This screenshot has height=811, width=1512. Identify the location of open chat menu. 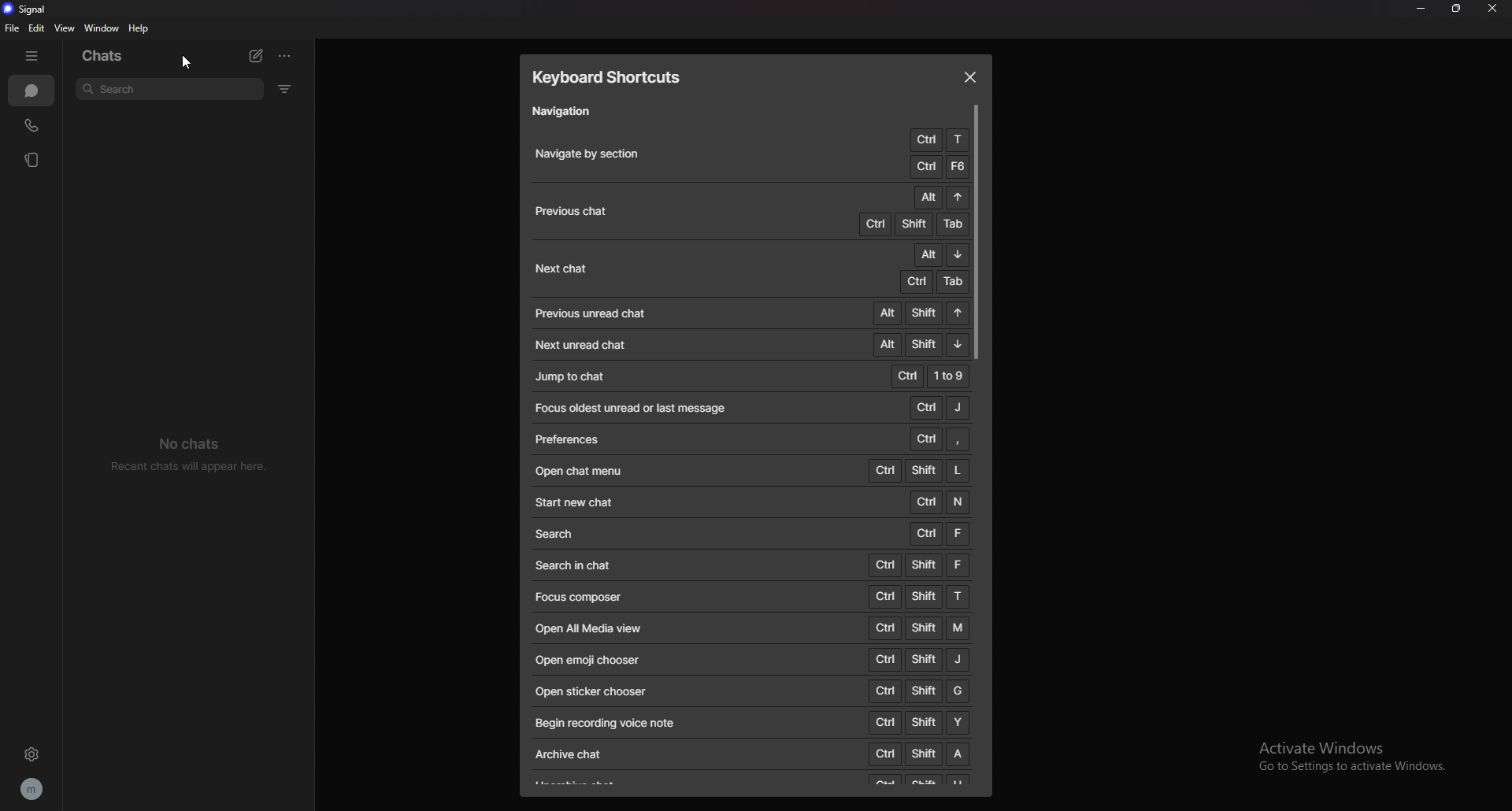
(584, 470).